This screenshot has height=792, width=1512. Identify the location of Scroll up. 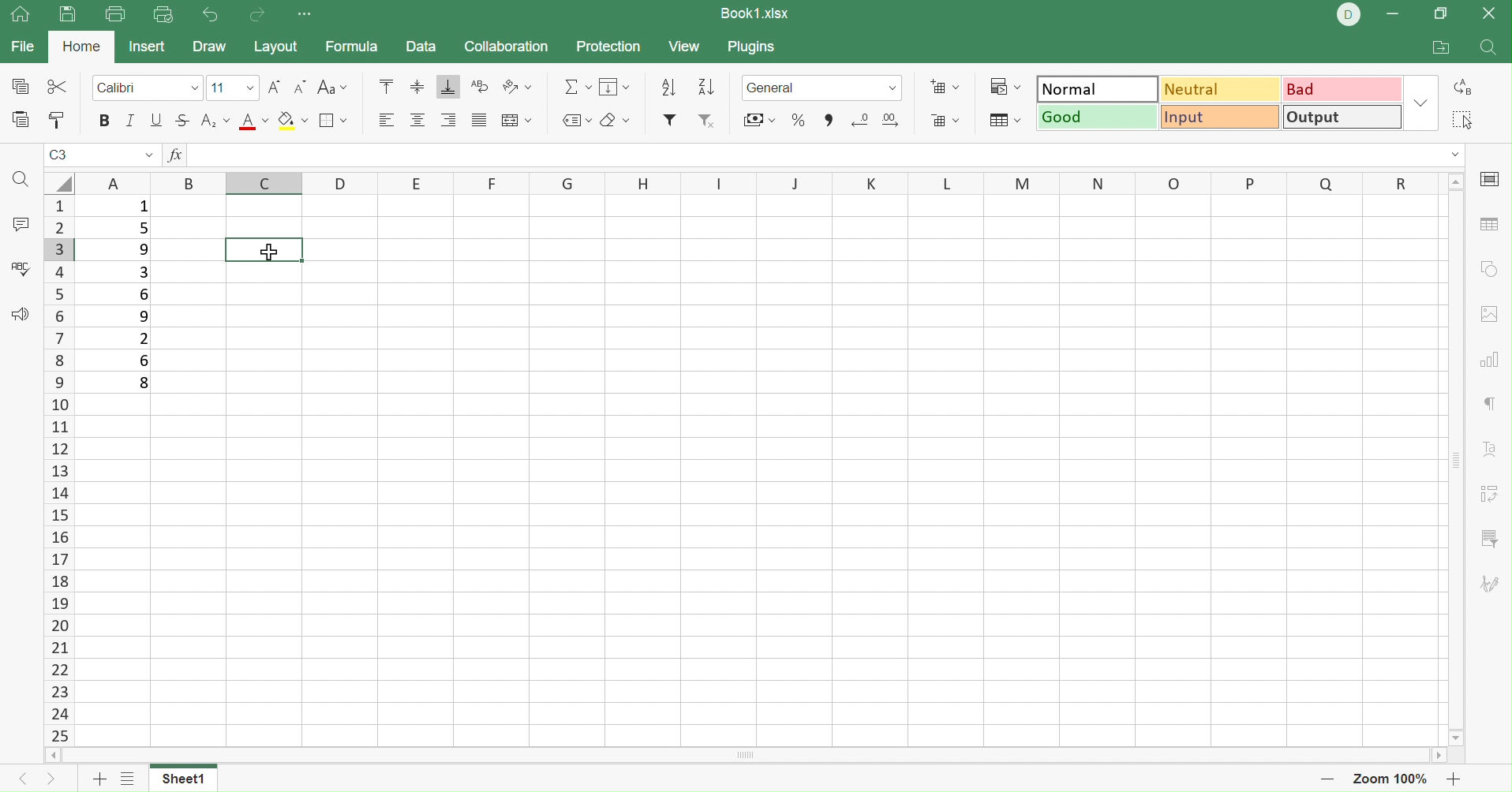
(1454, 180).